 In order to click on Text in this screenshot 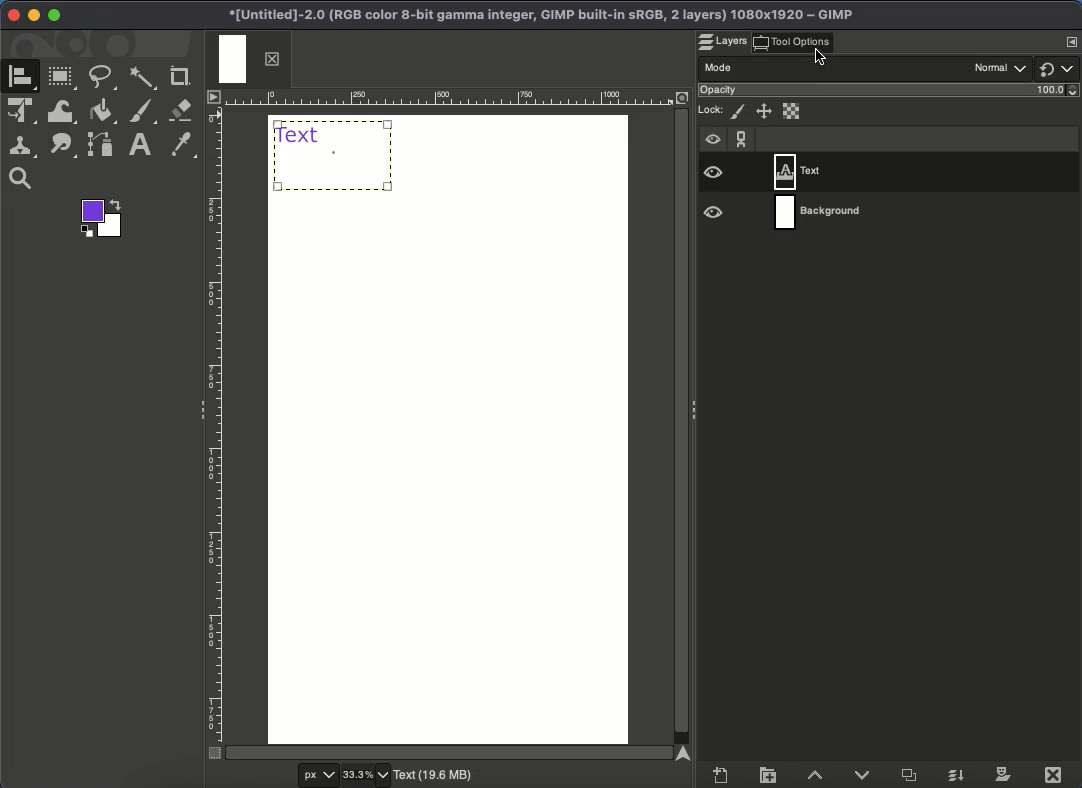, I will do `click(334, 154)`.